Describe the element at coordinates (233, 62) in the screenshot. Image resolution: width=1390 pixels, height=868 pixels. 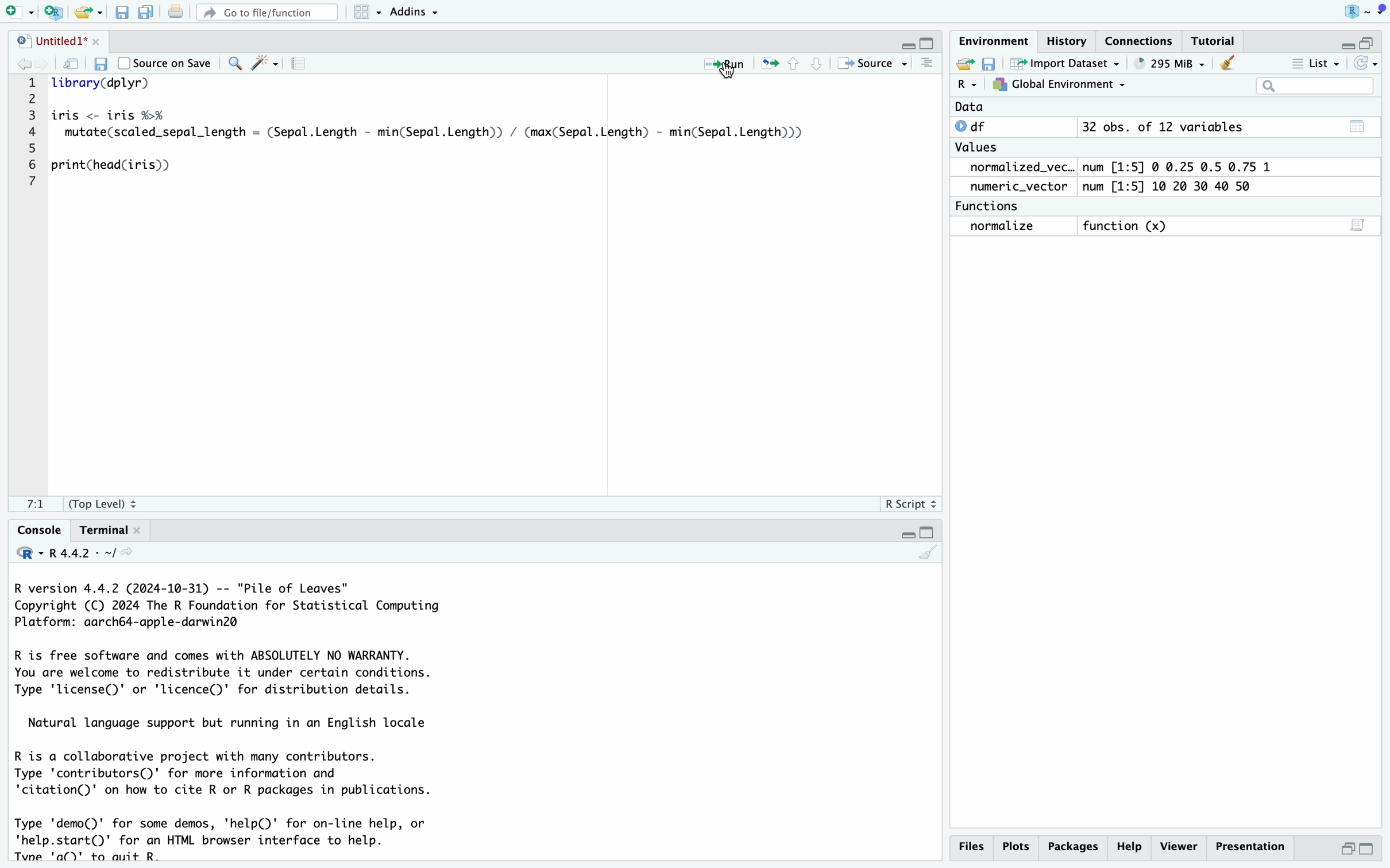
I see `Zoom` at that location.